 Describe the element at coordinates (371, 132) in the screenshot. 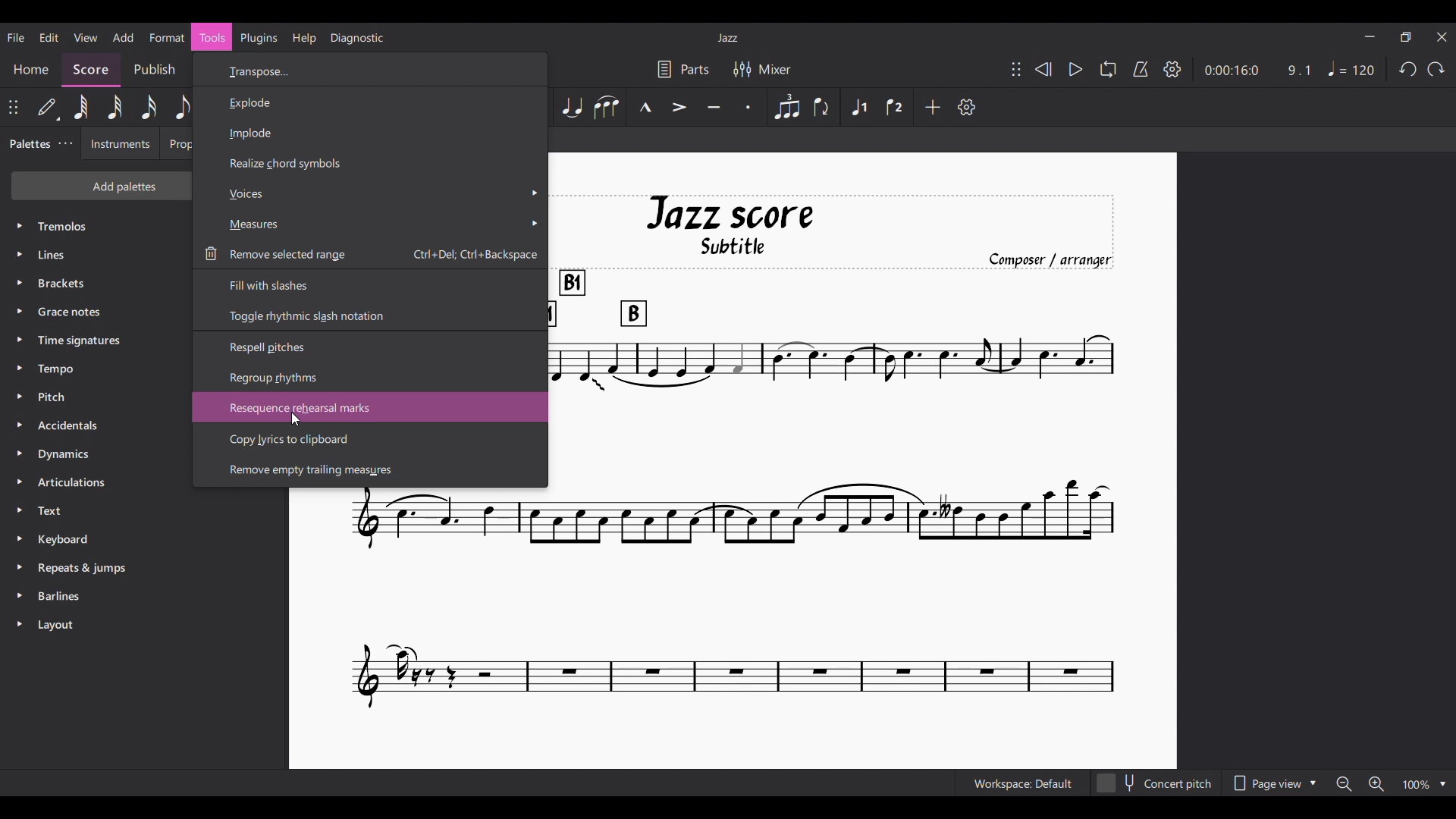

I see `Implode` at that location.